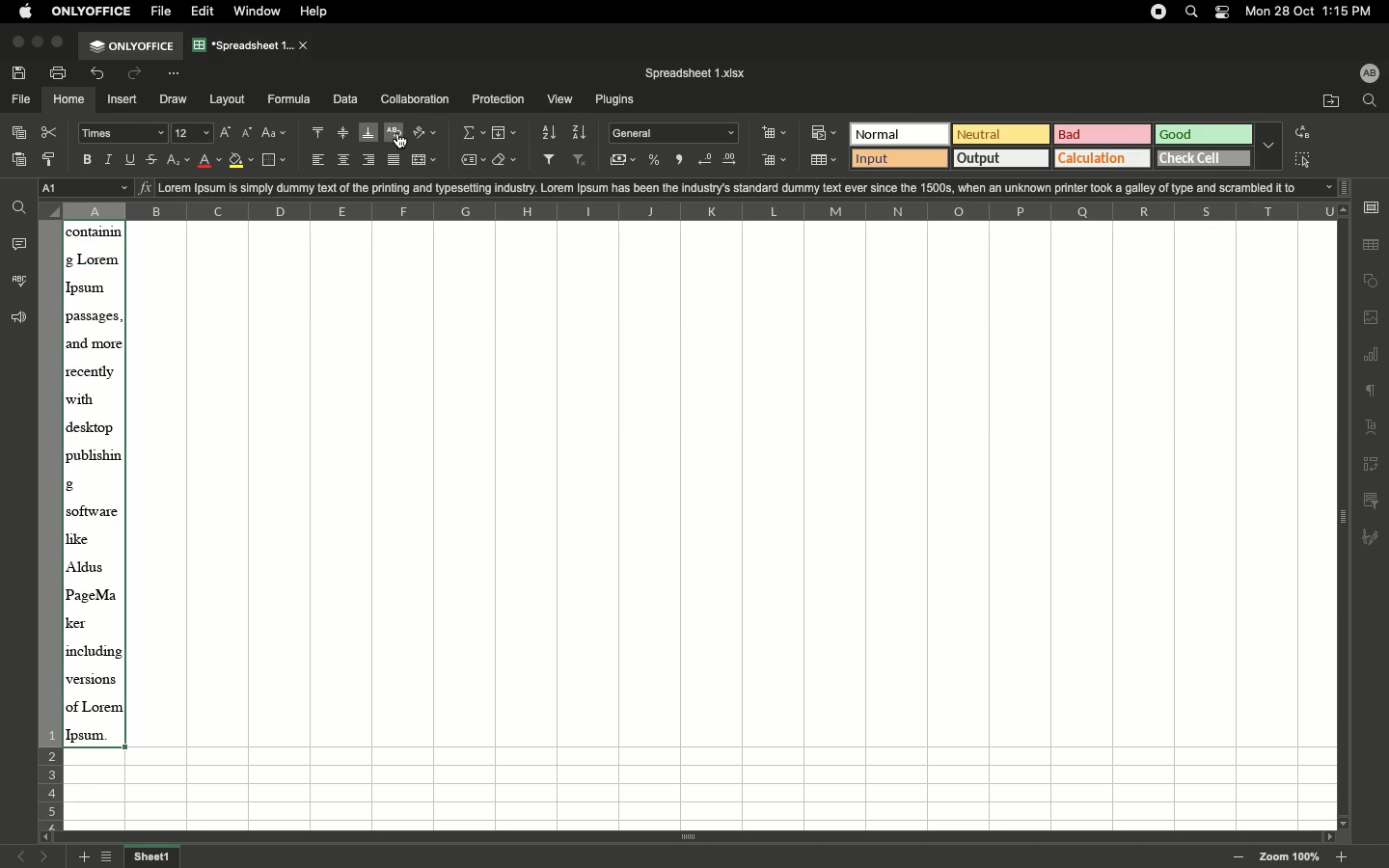  I want to click on View, so click(561, 100).